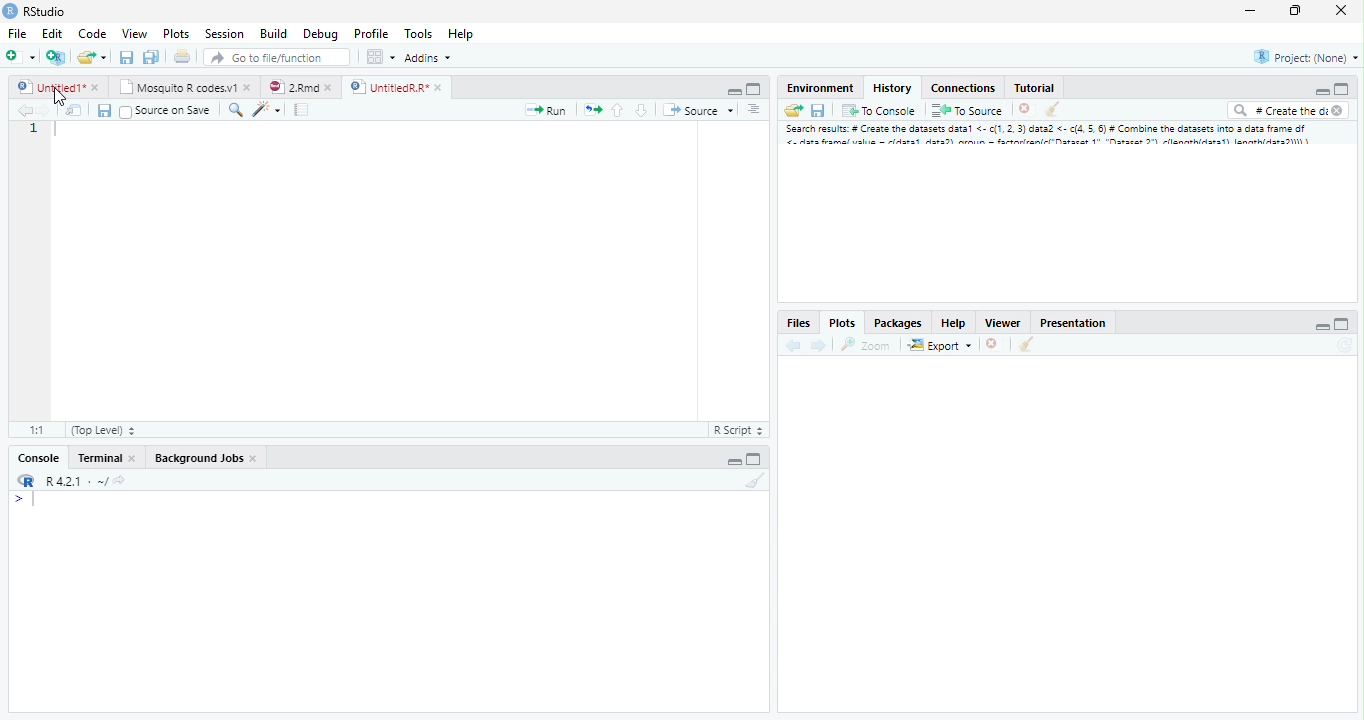 Image resolution: width=1364 pixels, height=720 pixels. I want to click on Build, so click(275, 34).